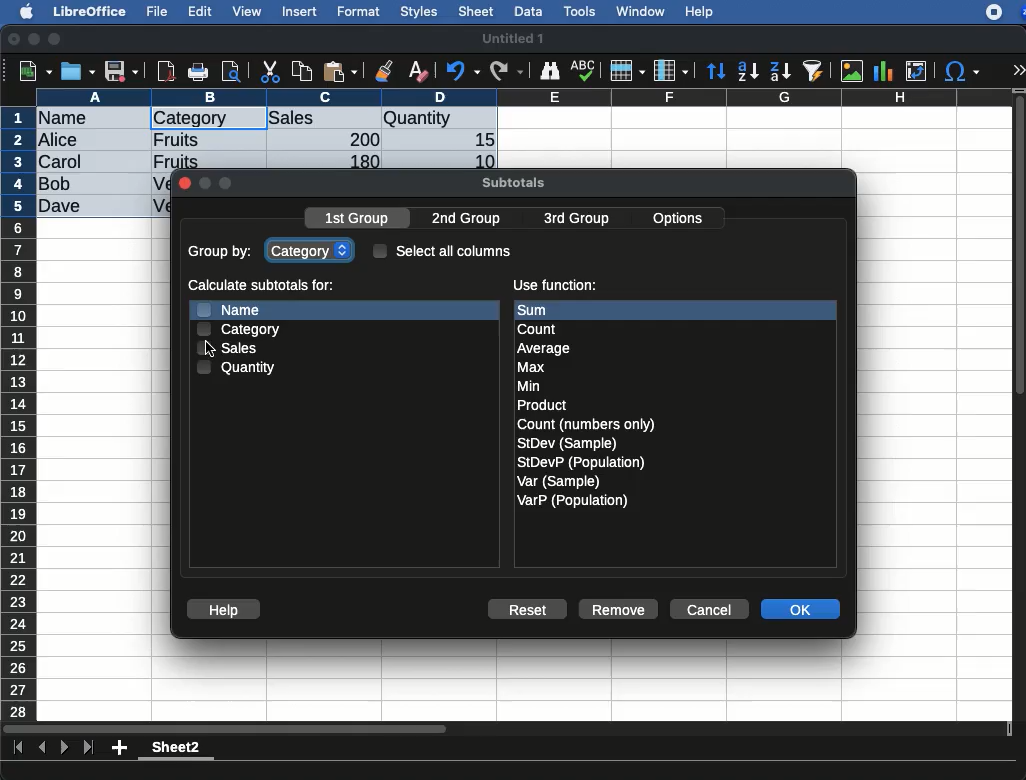 The image size is (1026, 780). Describe the element at coordinates (121, 747) in the screenshot. I see `add` at that location.